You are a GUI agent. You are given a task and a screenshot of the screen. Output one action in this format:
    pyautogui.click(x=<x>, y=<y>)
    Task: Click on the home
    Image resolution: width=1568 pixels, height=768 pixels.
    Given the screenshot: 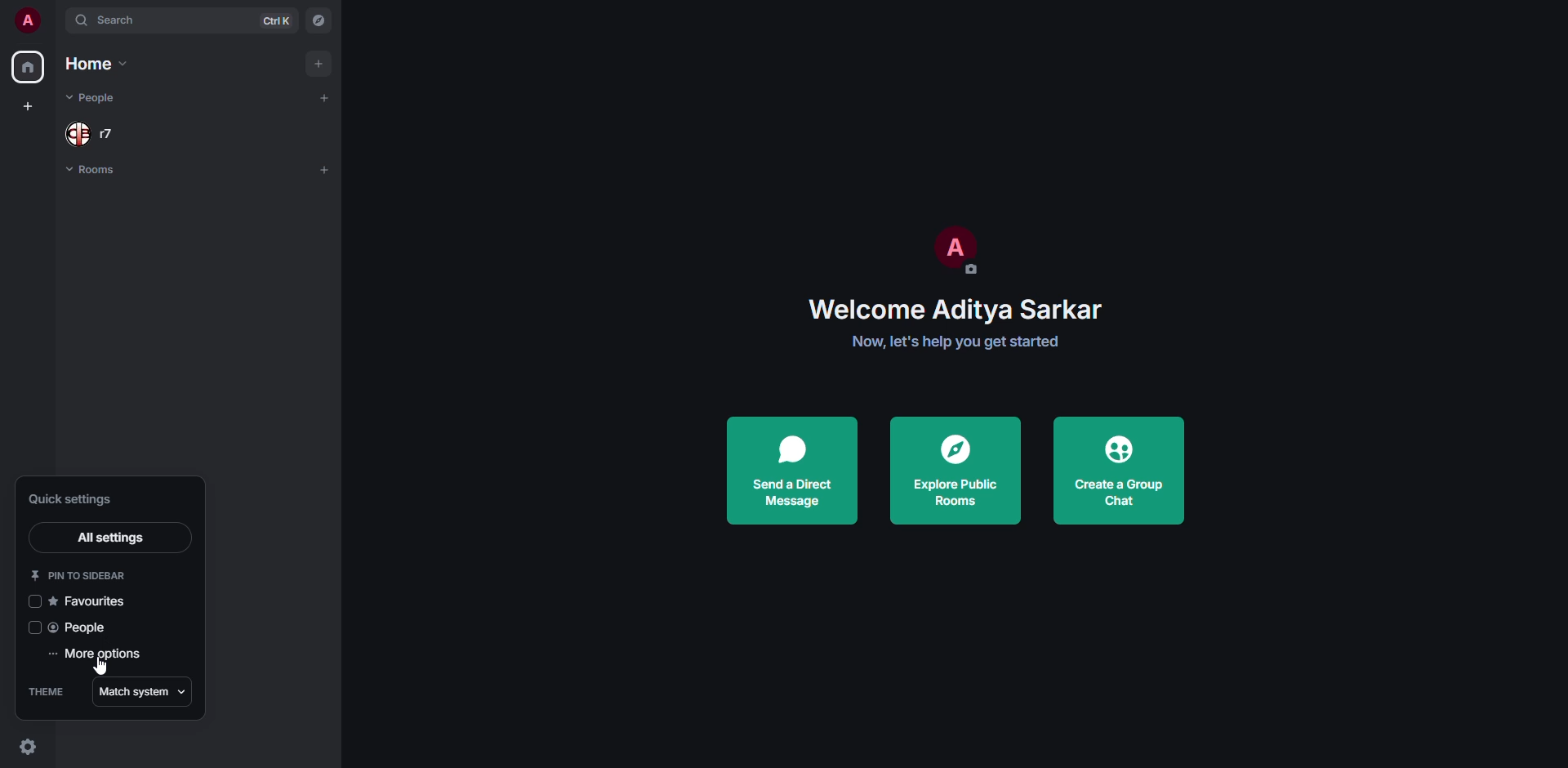 What is the action you would take?
    pyautogui.click(x=29, y=66)
    